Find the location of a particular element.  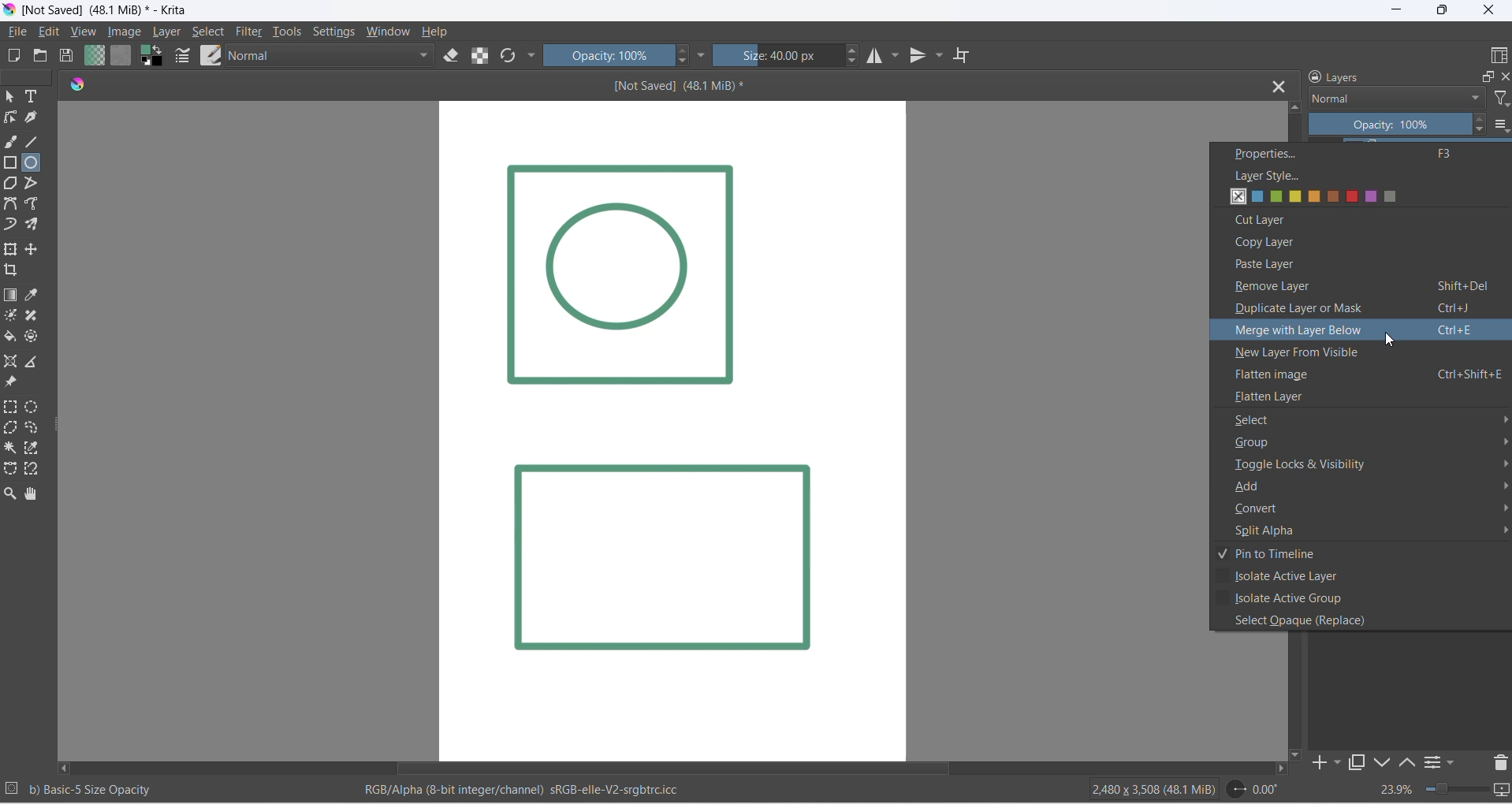

maximize is located at coordinates (1484, 75).